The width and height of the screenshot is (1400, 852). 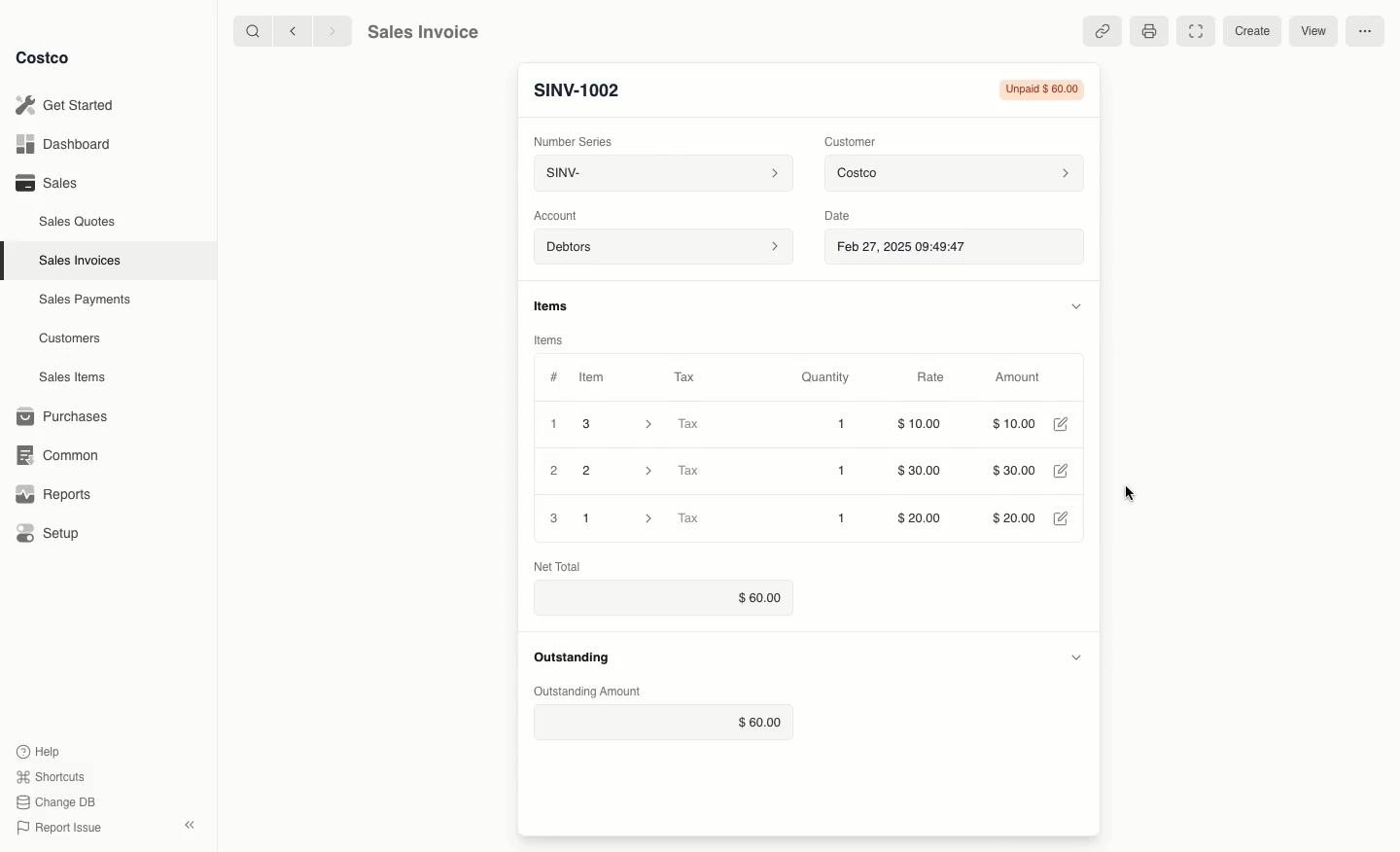 What do you see at coordinates (849, 213) in the screenshot?
I see `Date` at bounding box center [849, 213].